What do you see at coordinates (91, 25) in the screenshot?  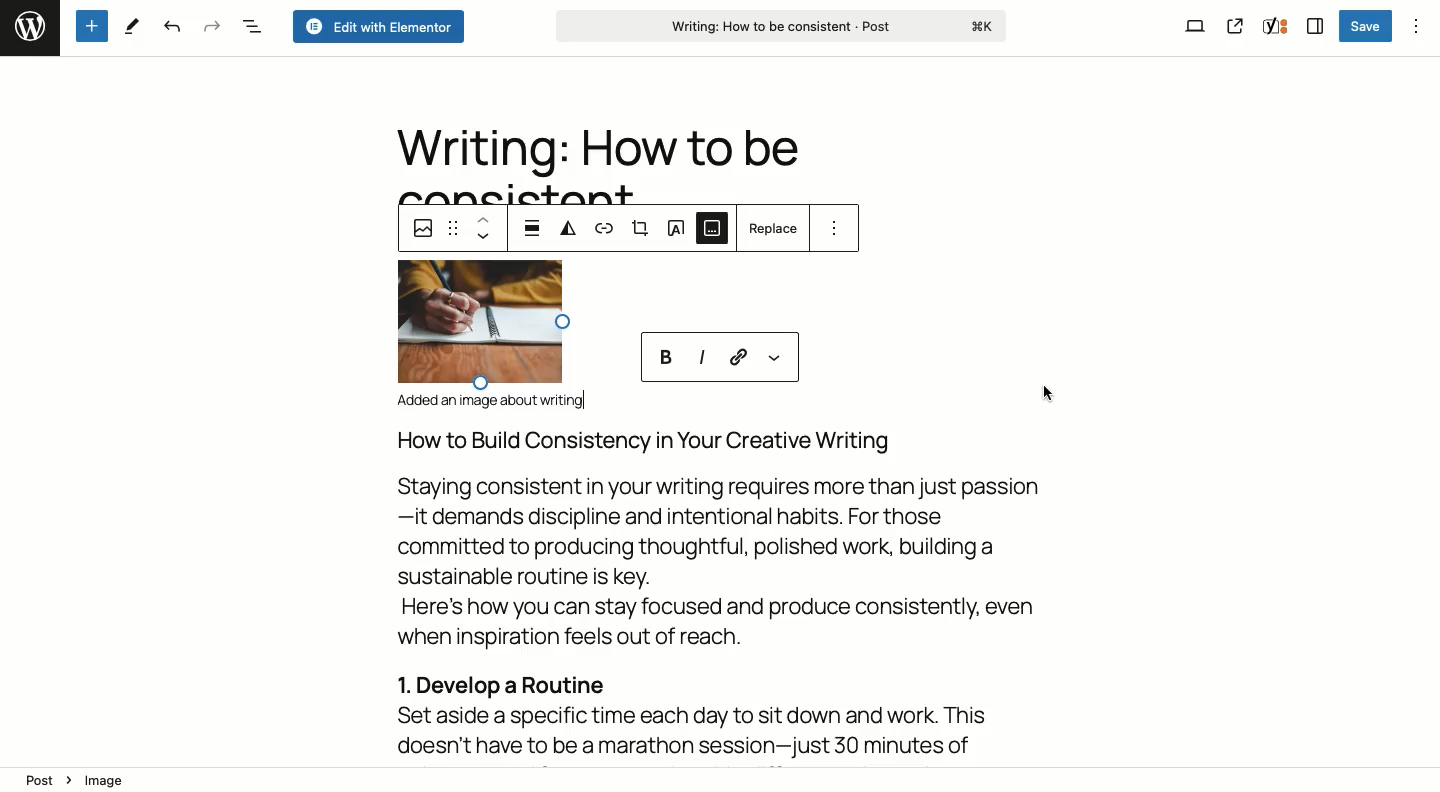 I see `Add new block` at bounding box center [91, 25].